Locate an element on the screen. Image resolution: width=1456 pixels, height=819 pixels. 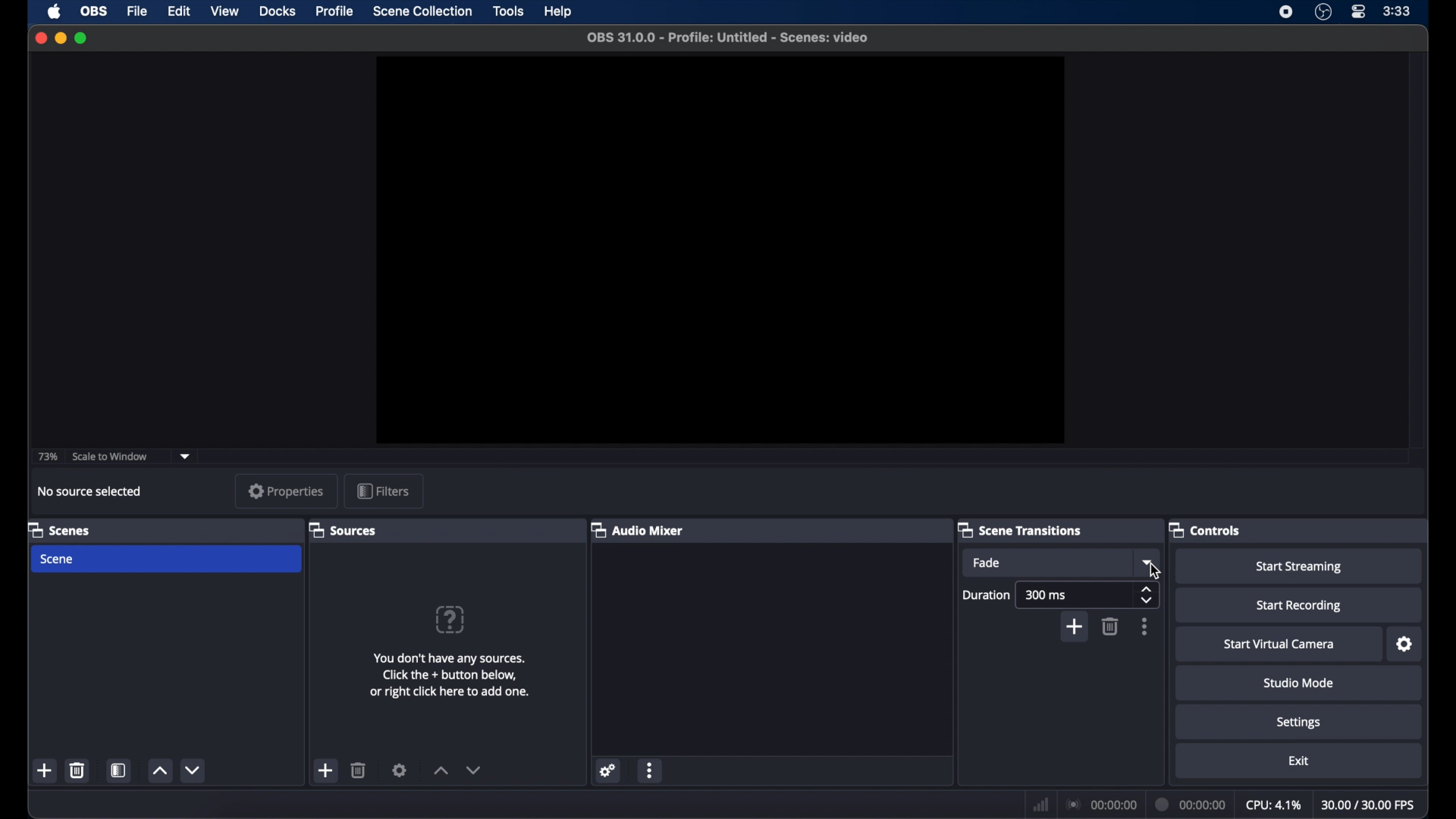
settings is located at coordinates (609, 770).